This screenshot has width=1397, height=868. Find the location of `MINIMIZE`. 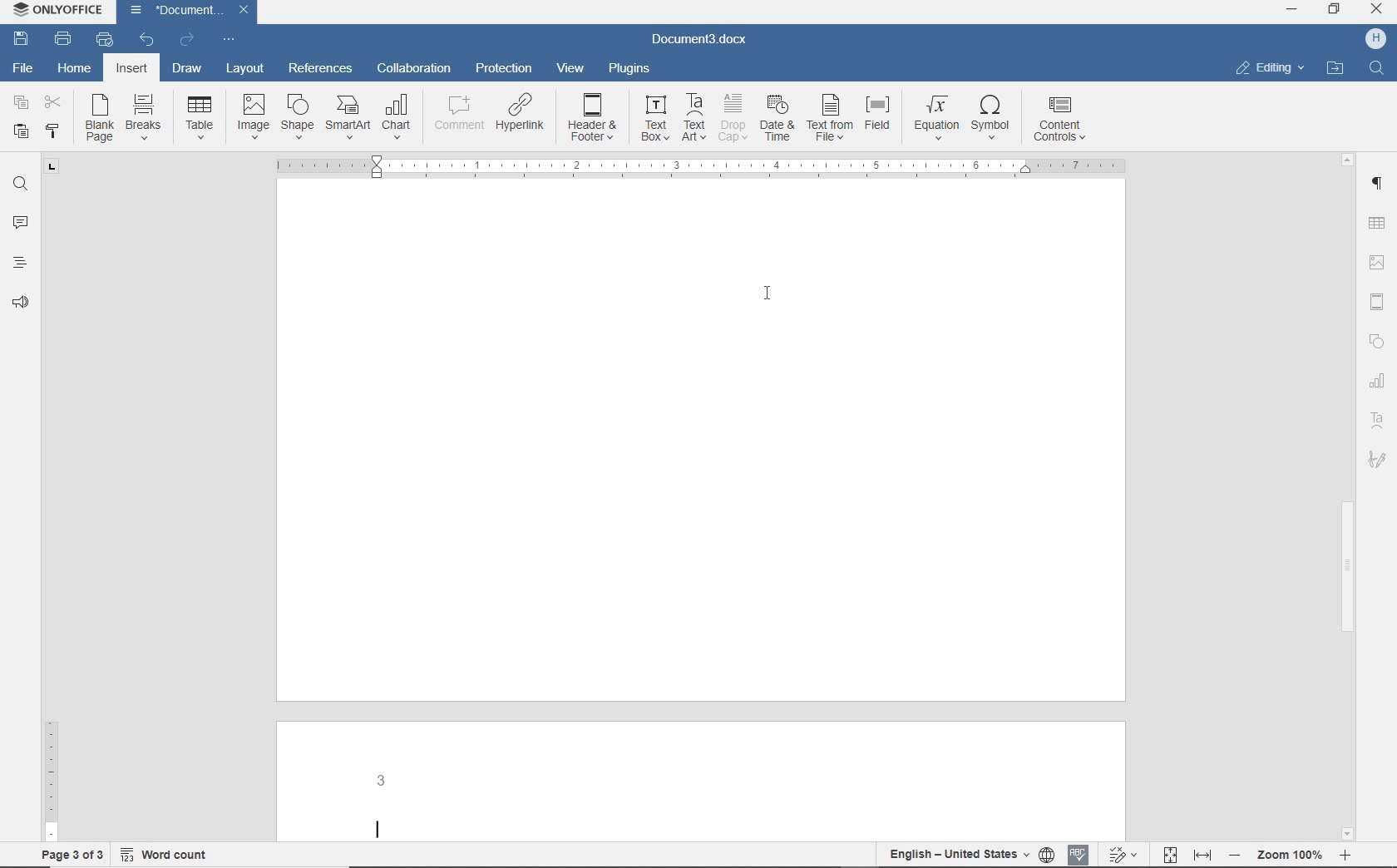

MINIMIZE is located at coordinates (1293, 11).